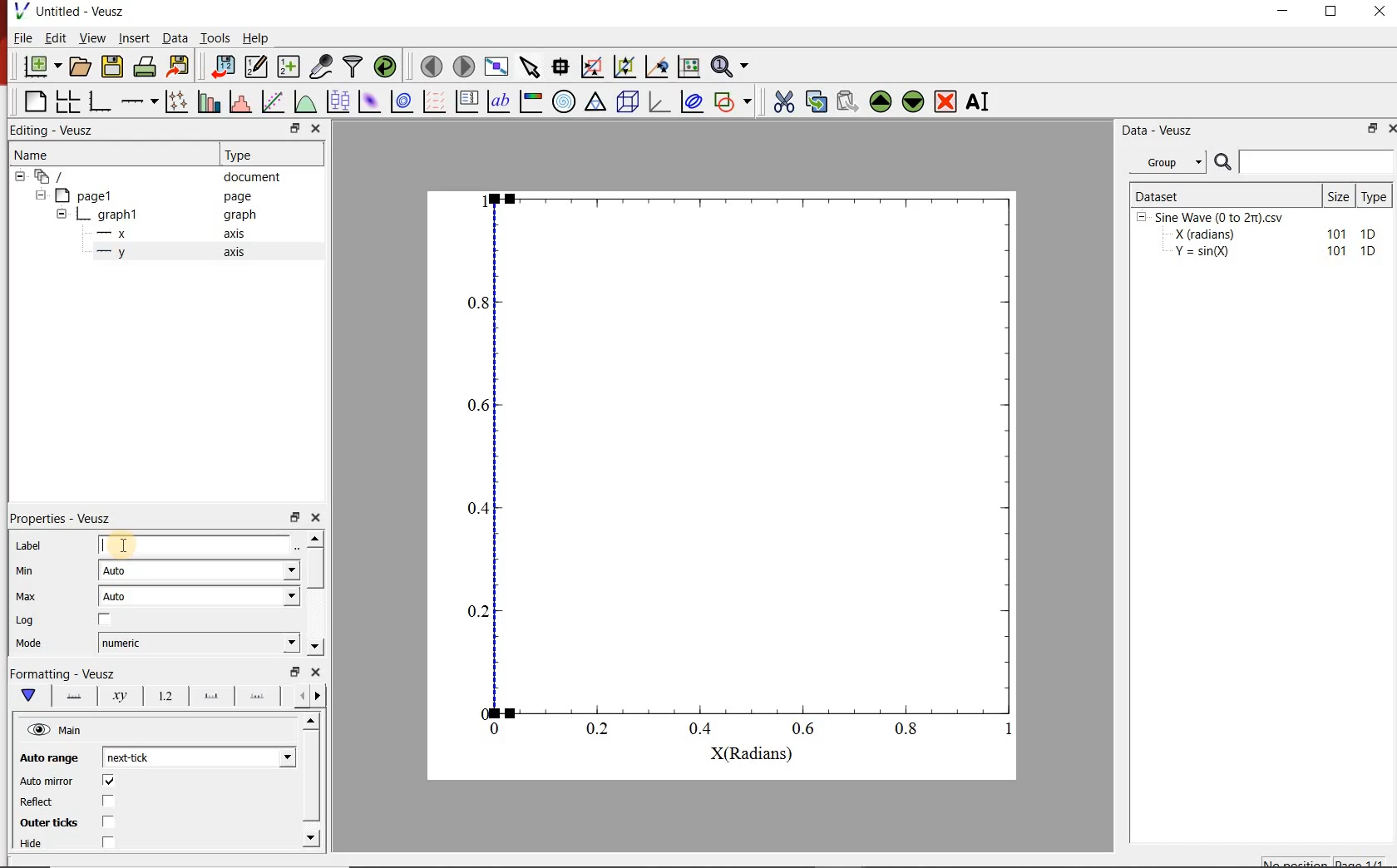 The image size is (1397, 868). What do you see at coordinates (1325, 861) in the screenshot?
I see `no positions` at bounding box center [1325, 861].